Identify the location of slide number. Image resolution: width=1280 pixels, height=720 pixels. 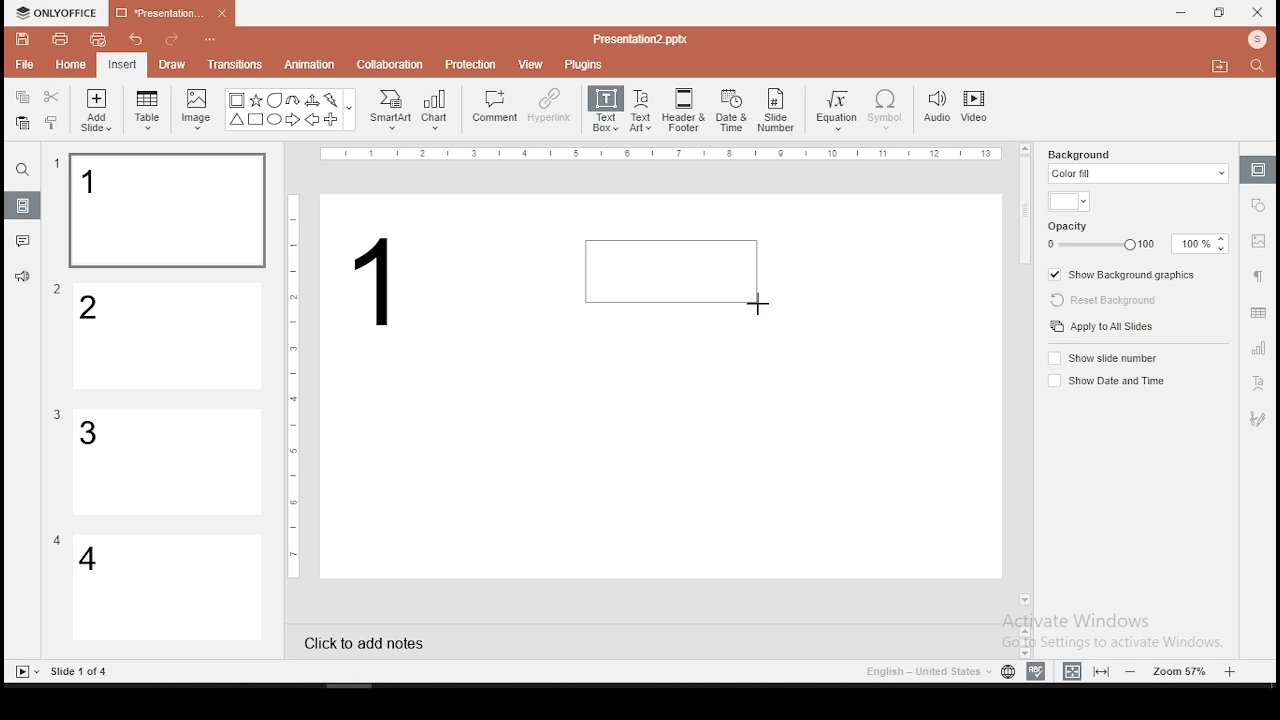
(777, 110).